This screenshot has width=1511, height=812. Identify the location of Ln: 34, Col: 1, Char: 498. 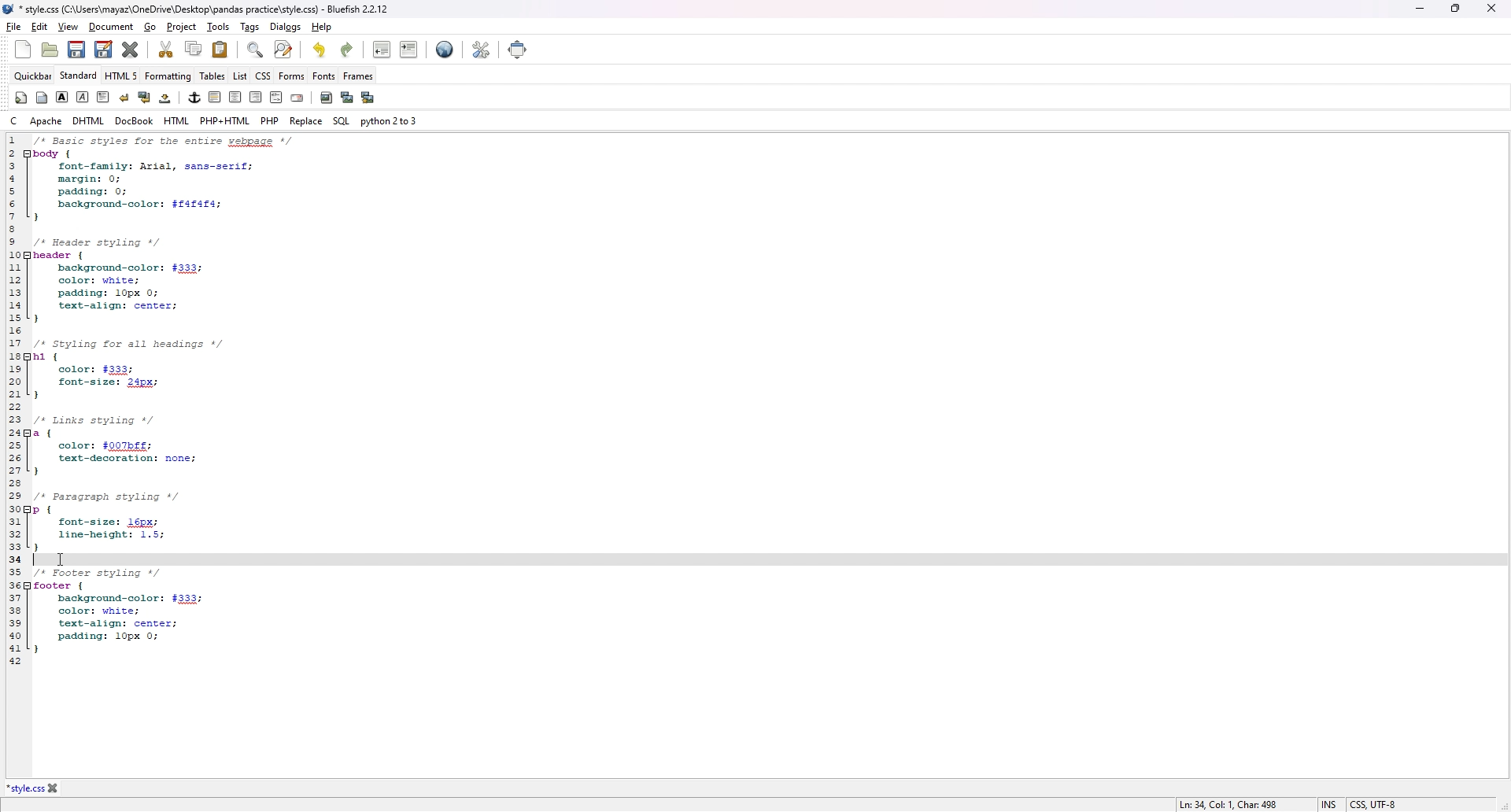
(1229, 803).